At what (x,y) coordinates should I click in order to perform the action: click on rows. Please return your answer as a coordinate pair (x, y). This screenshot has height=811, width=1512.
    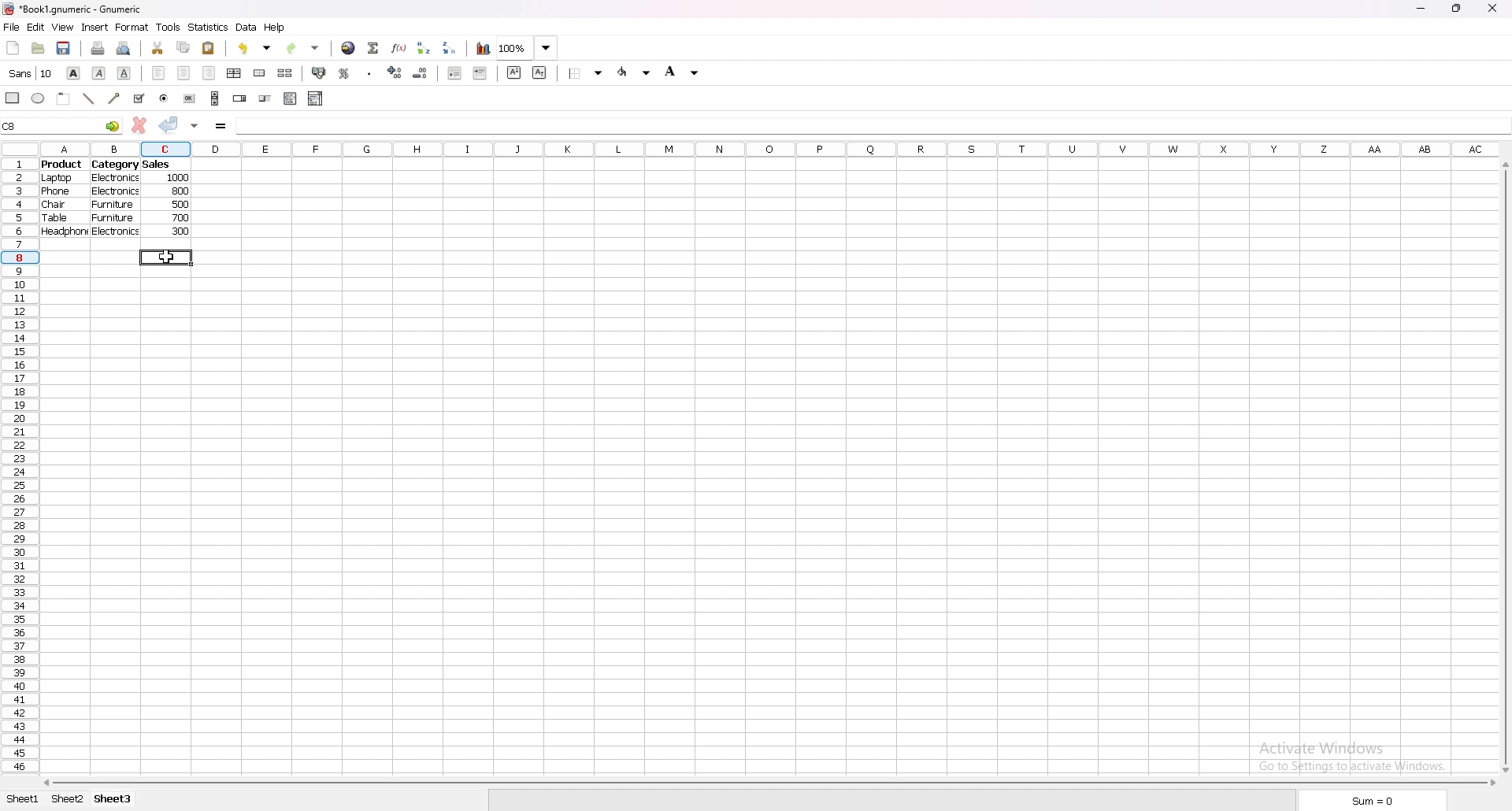
    Looking at the image, I should click on (15, 465).